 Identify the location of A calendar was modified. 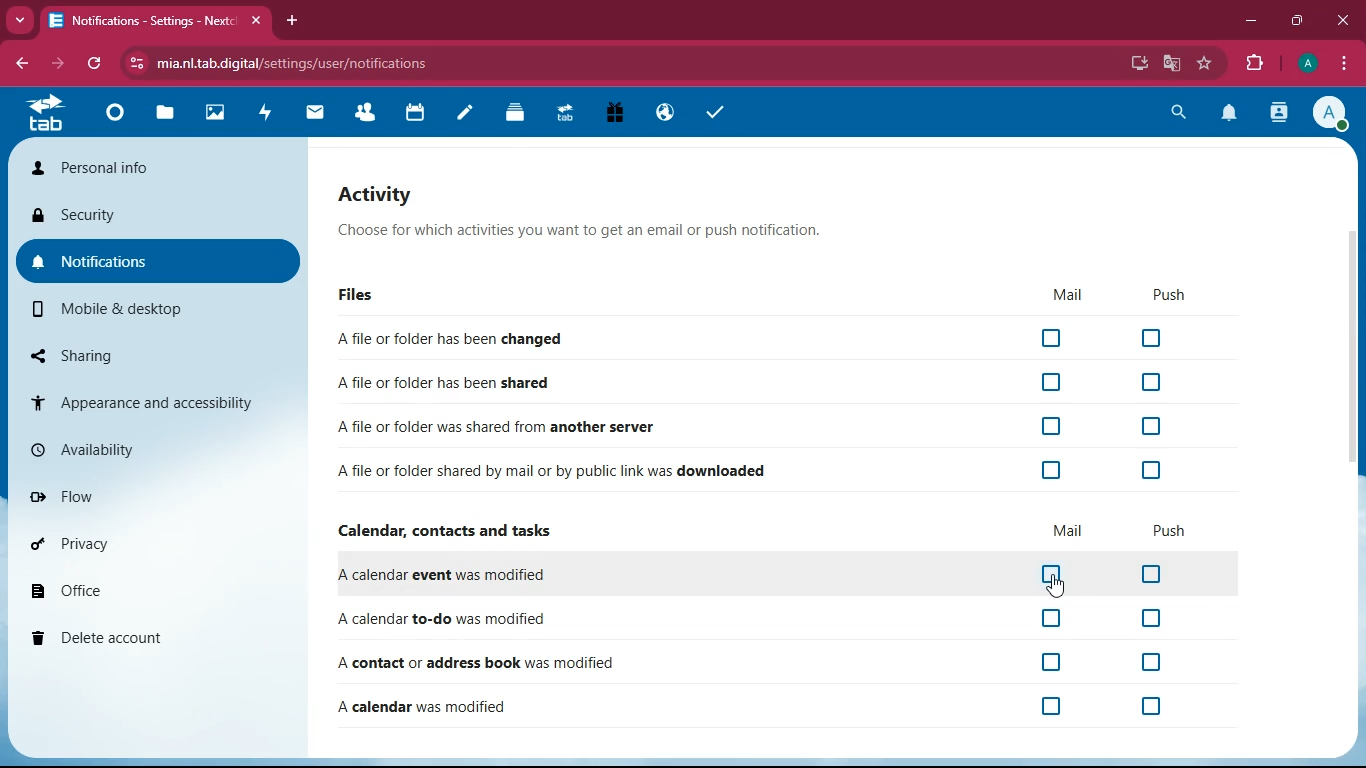
(752, 711).